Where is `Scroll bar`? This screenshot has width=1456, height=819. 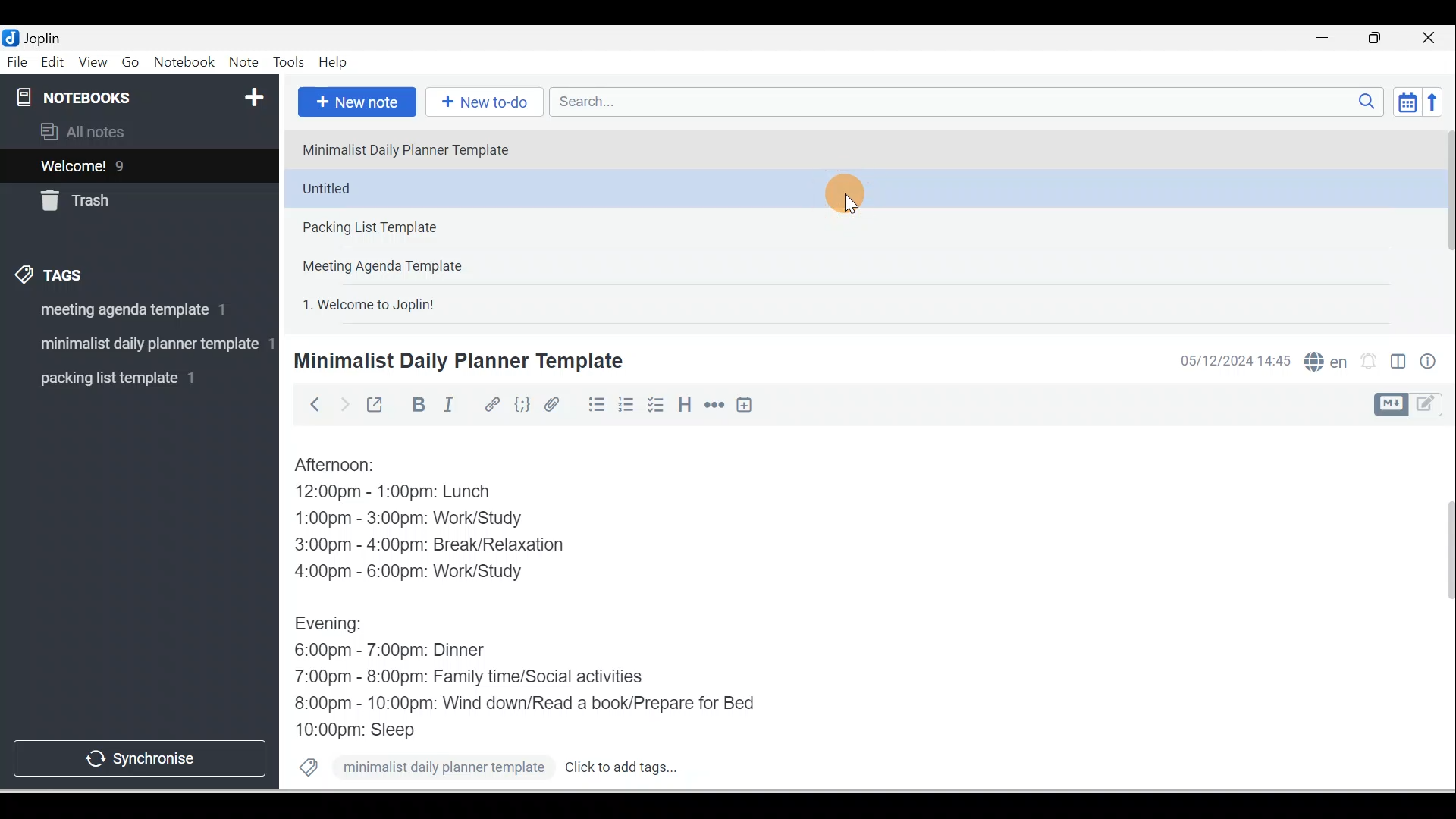 Scroll bar is located at coordinates (1439, 608).